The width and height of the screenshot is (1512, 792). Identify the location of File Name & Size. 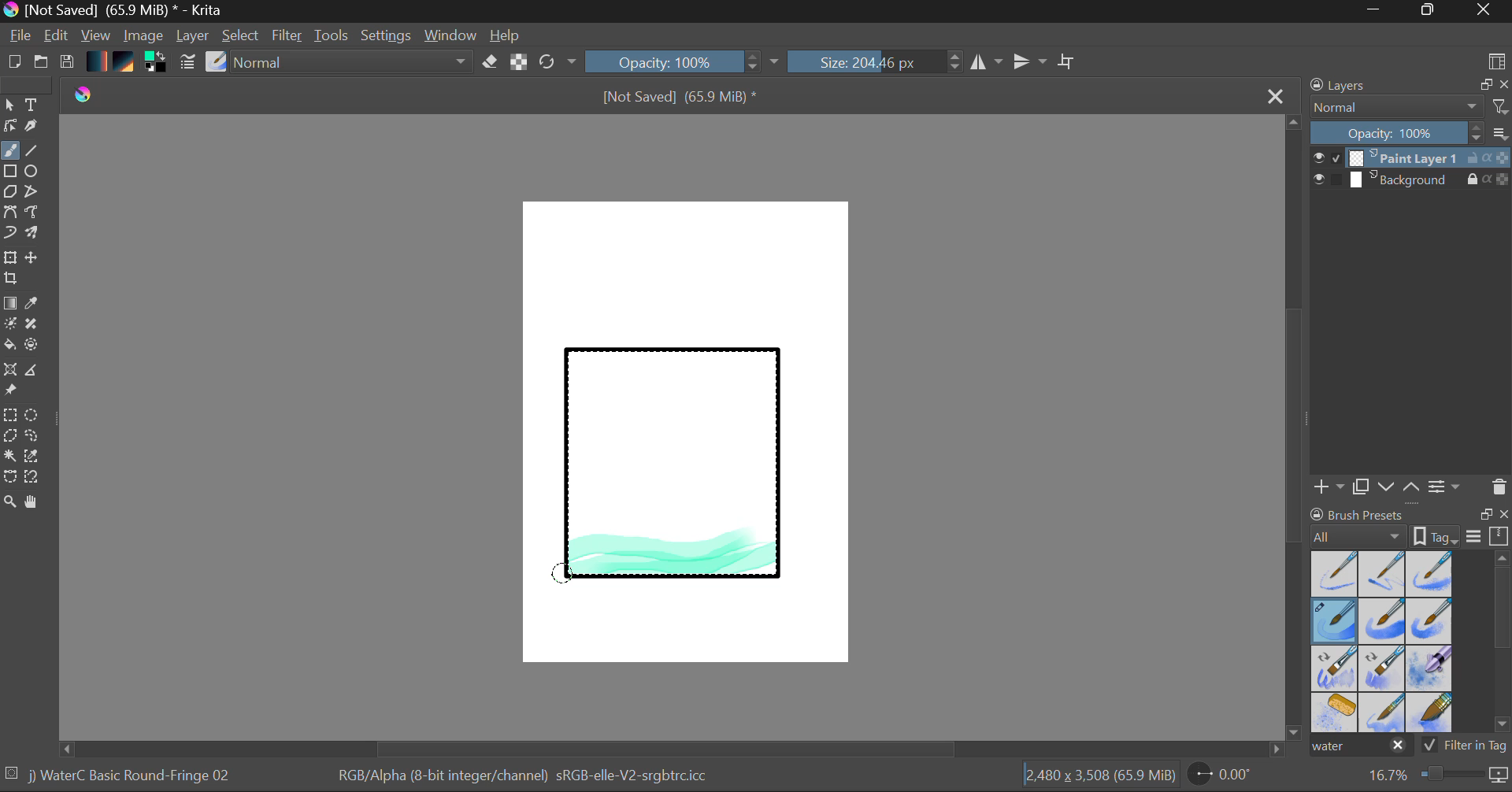
(680, 98).